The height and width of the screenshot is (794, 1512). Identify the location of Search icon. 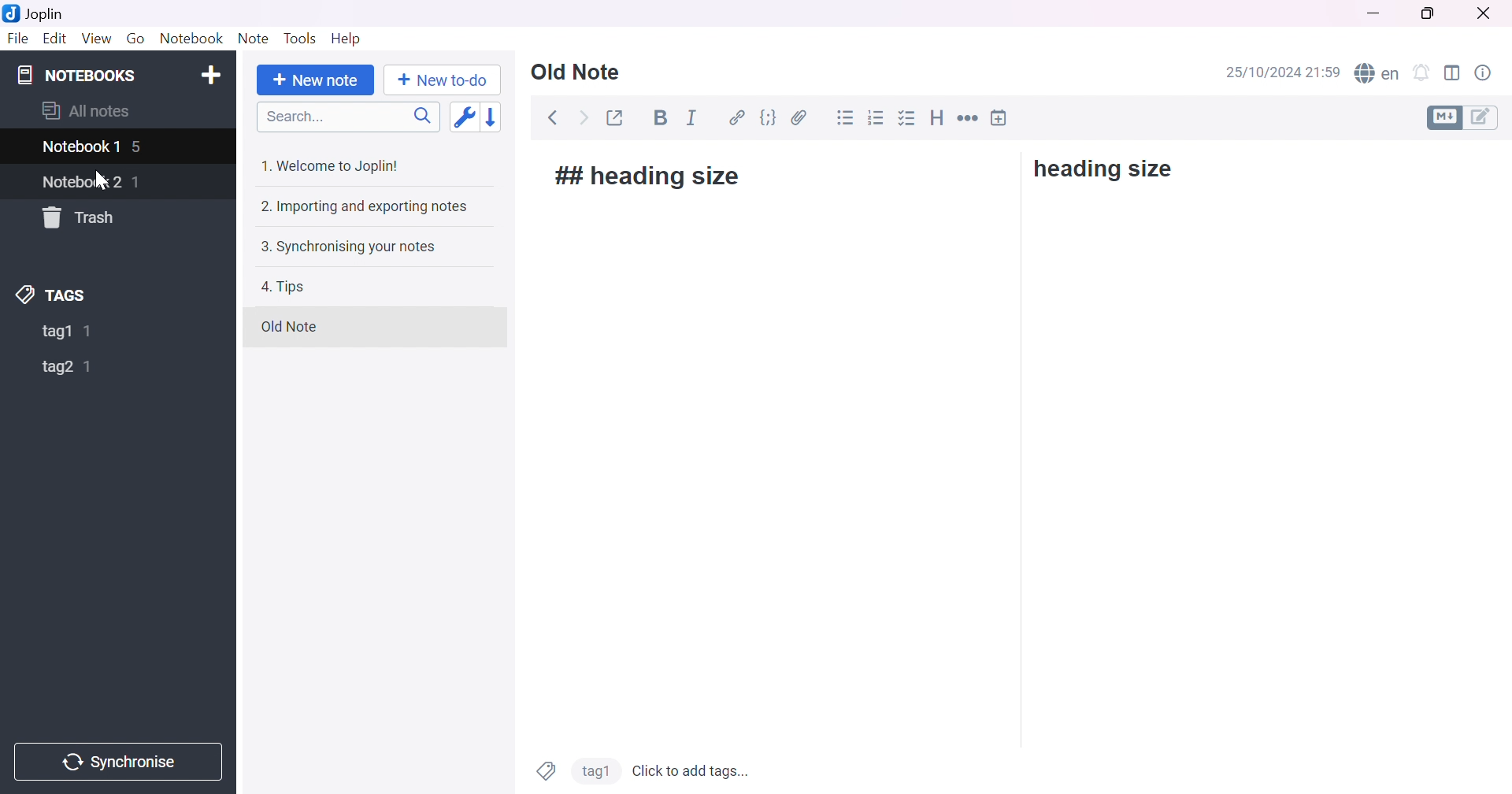
(418, 118).